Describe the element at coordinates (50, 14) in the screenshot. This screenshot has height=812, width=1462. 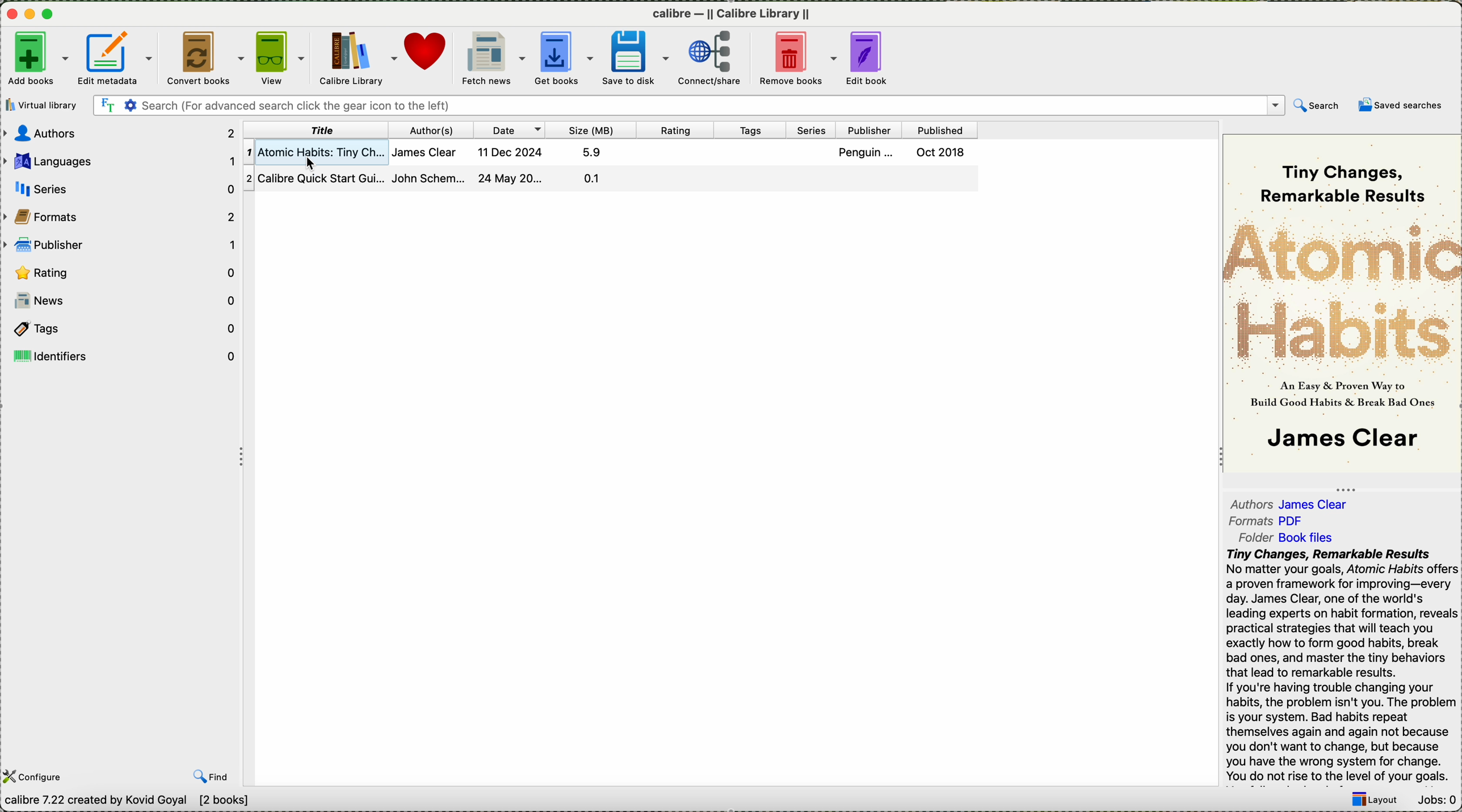
I see `maximize` at that location.